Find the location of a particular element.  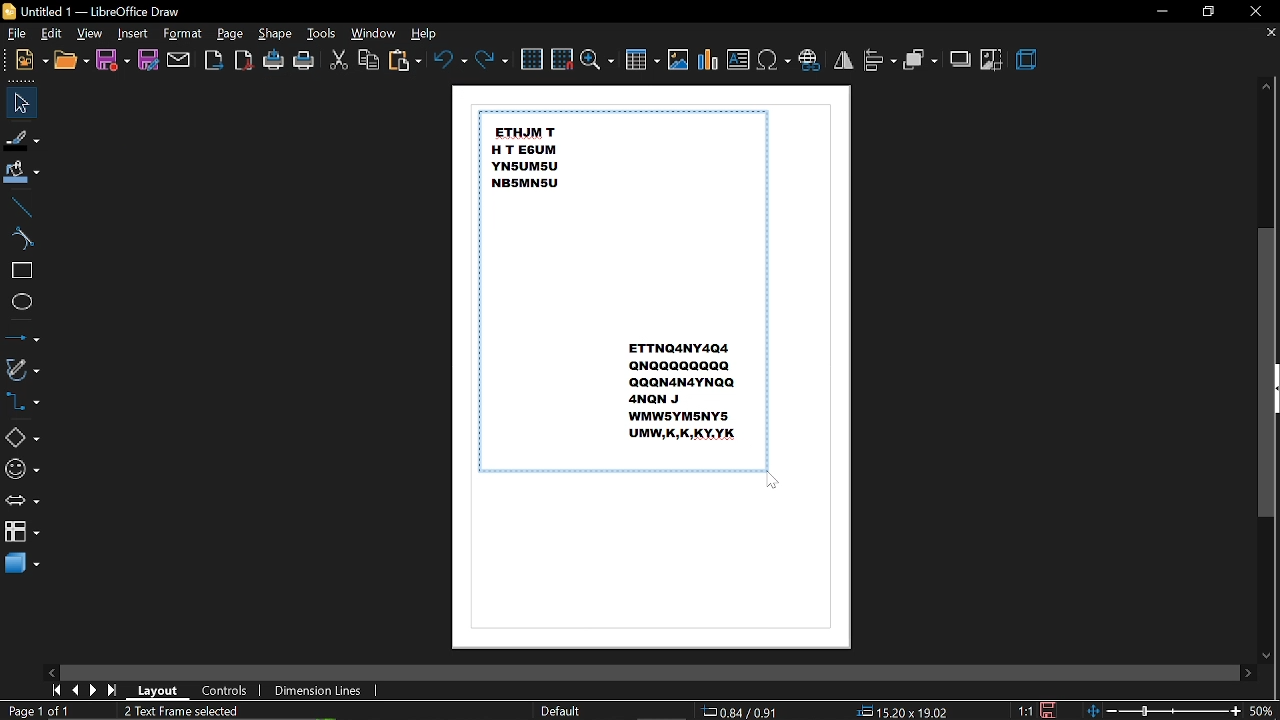

close tab is located at coordinates (1270, 33).